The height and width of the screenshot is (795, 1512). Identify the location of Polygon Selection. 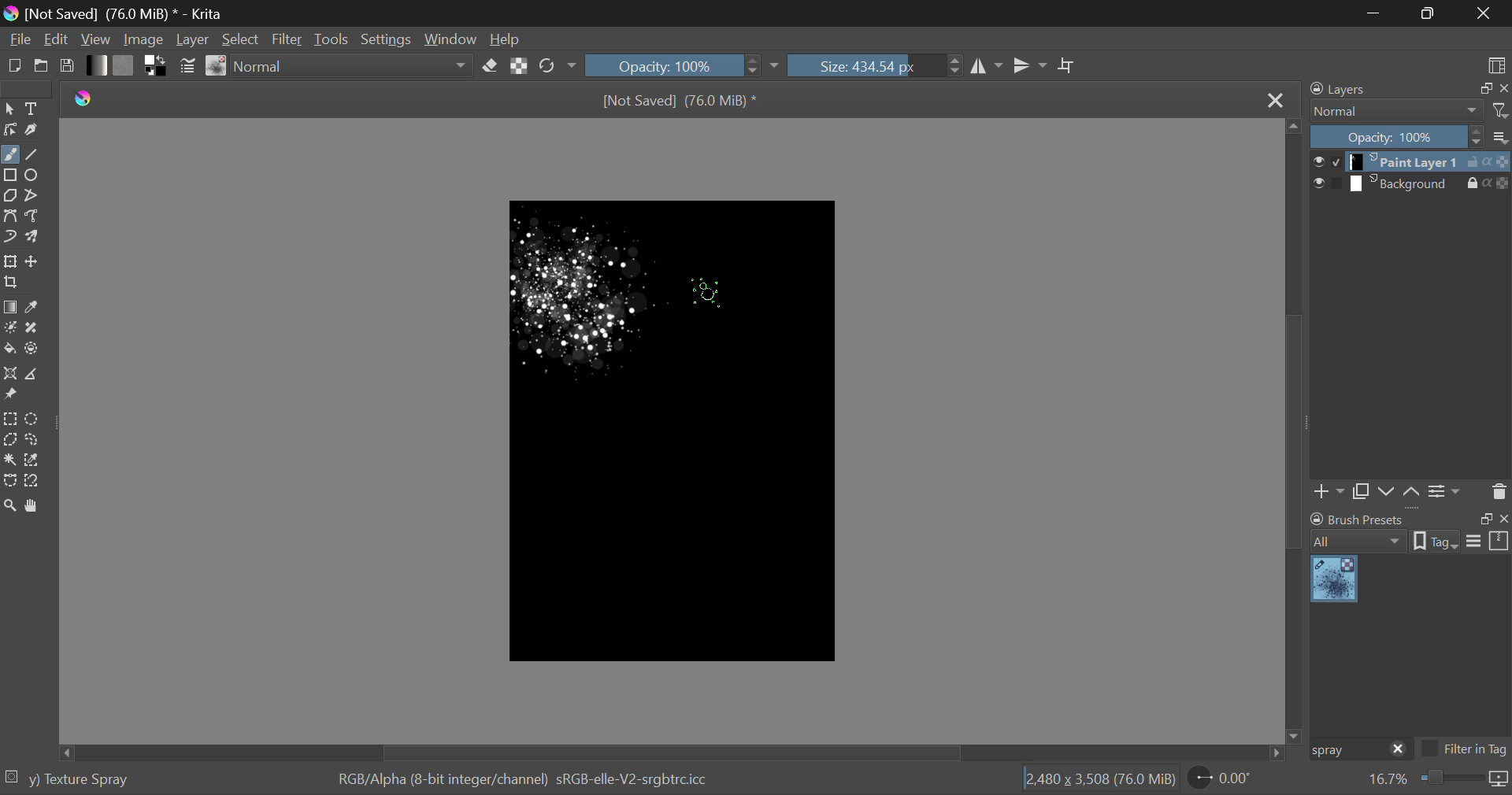
(10, 438).